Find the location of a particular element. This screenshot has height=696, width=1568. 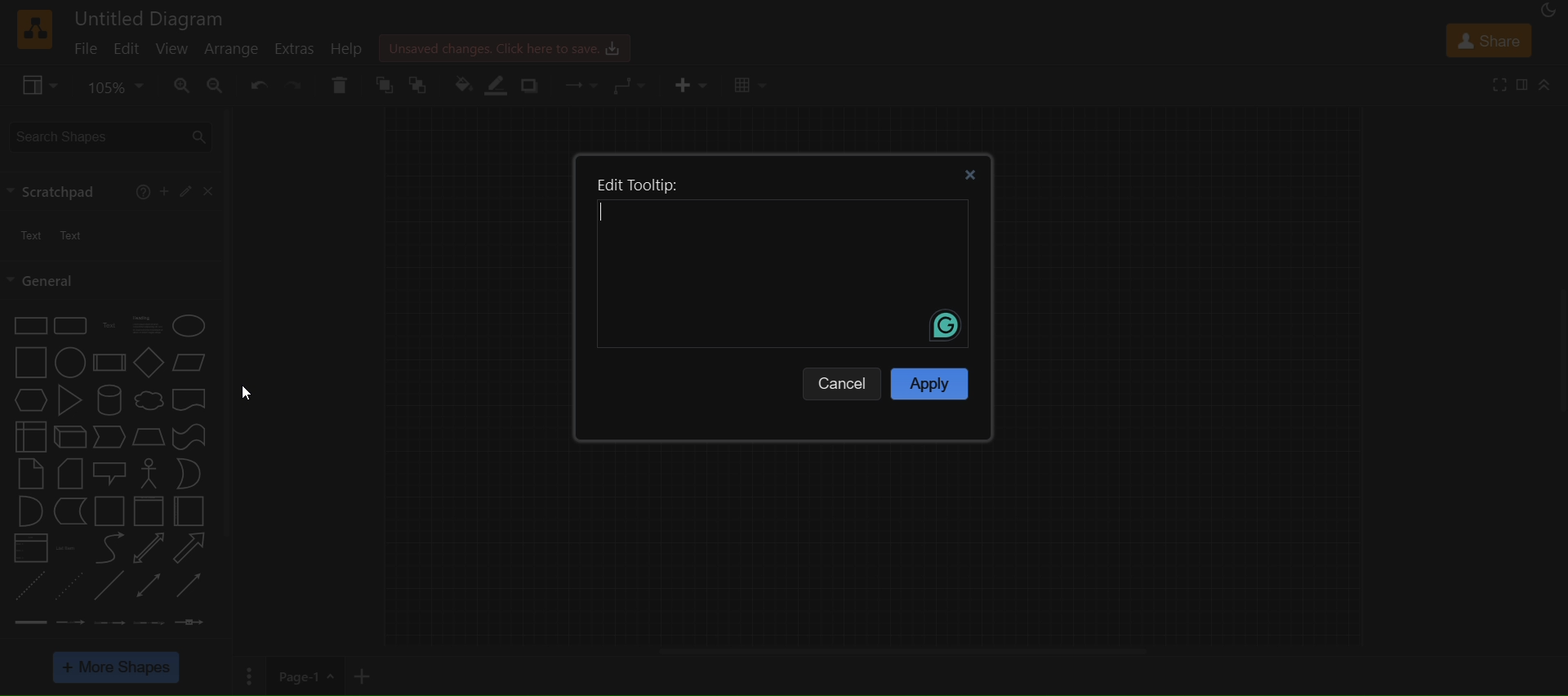

help is located at coordinates (345, 49).